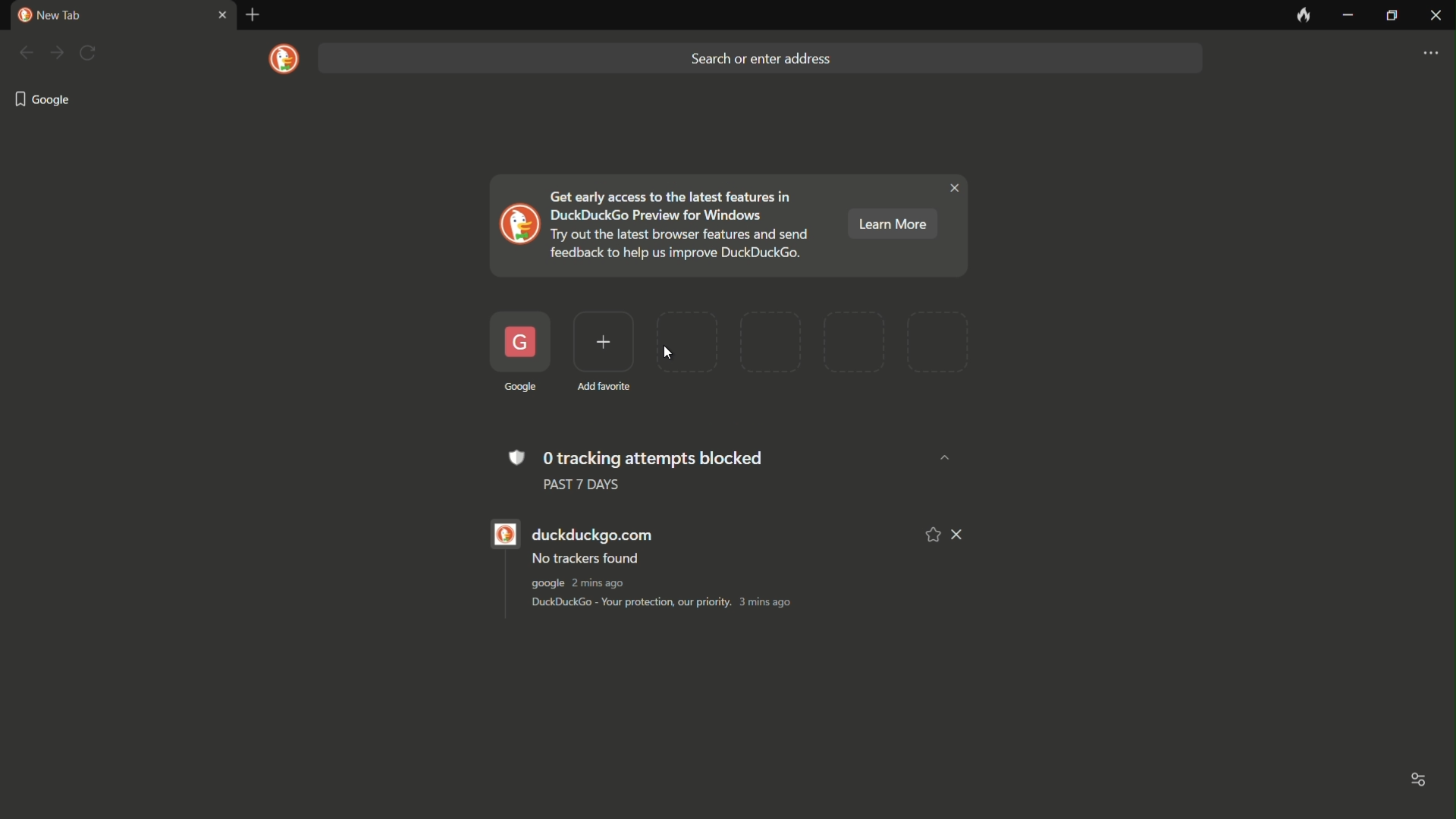 The height and width of the screenshot is (819, 1456). Describe the element at coordinates (221, 16) in the screenshot. I see `close tab` at that location.